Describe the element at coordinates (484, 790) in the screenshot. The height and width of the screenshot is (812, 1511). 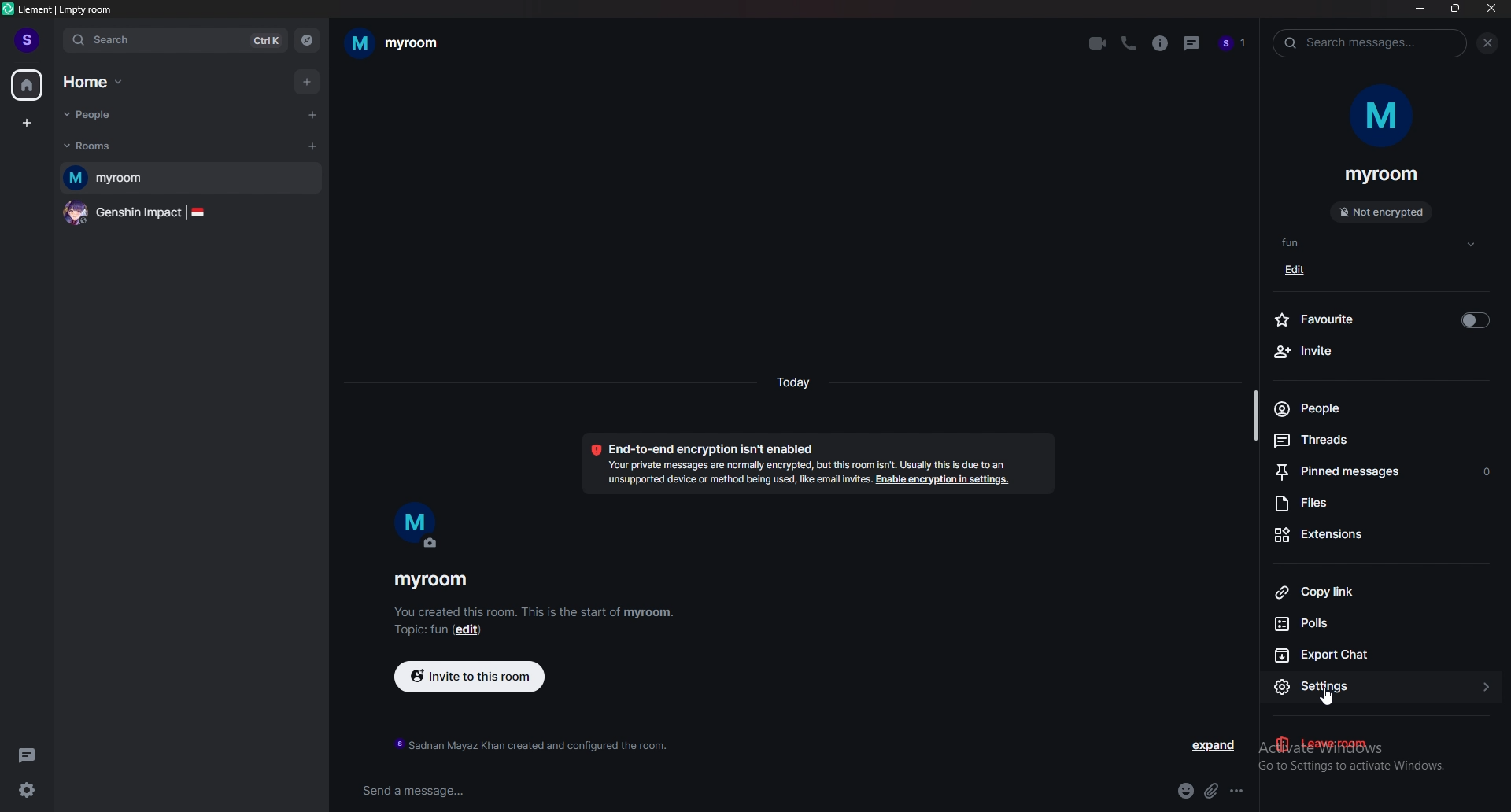
I see `send a message` at that location.